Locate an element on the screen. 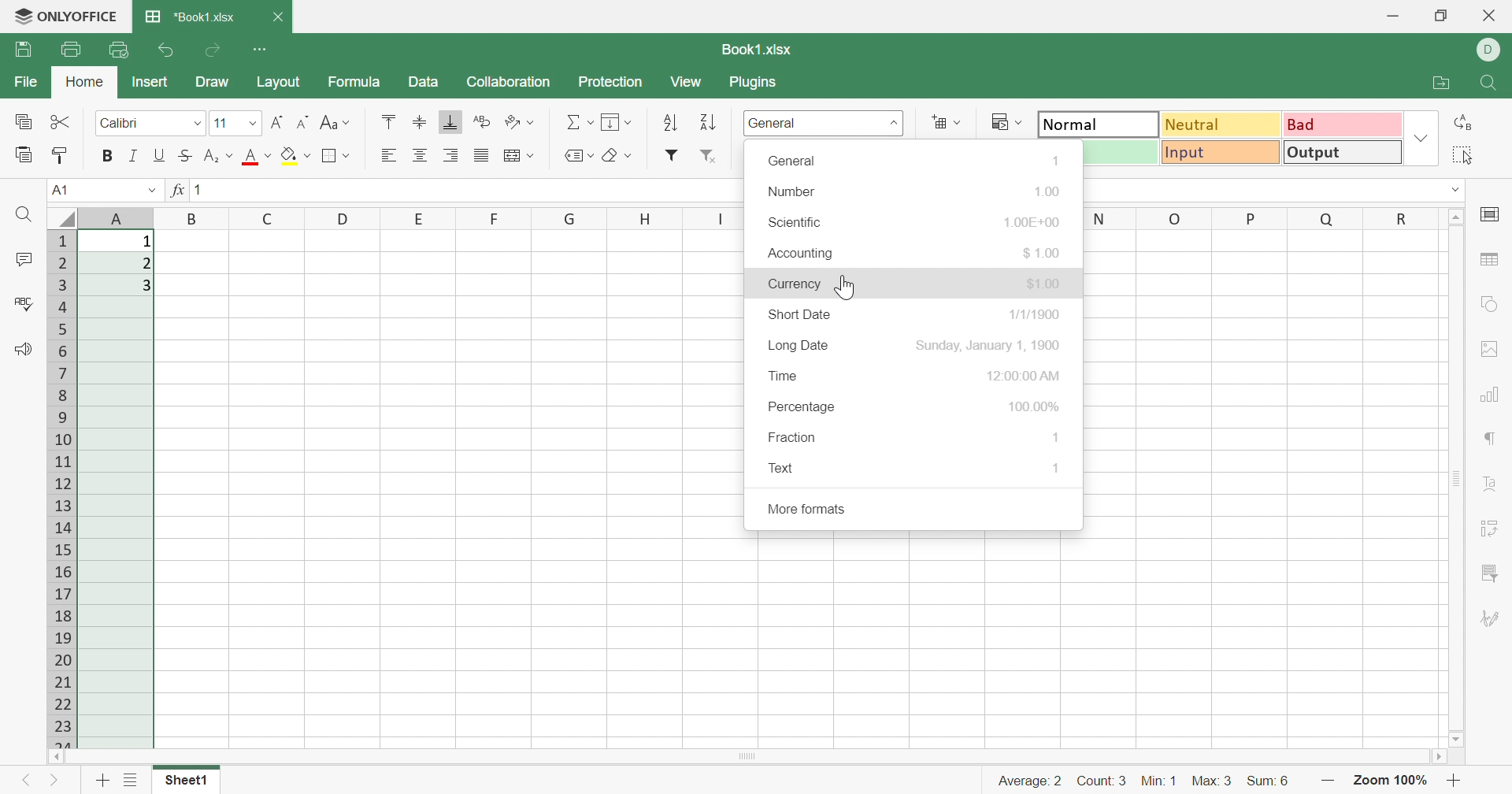 This screenshot has width=1512, height=794. Align middle is located at coordinates (419, 121).